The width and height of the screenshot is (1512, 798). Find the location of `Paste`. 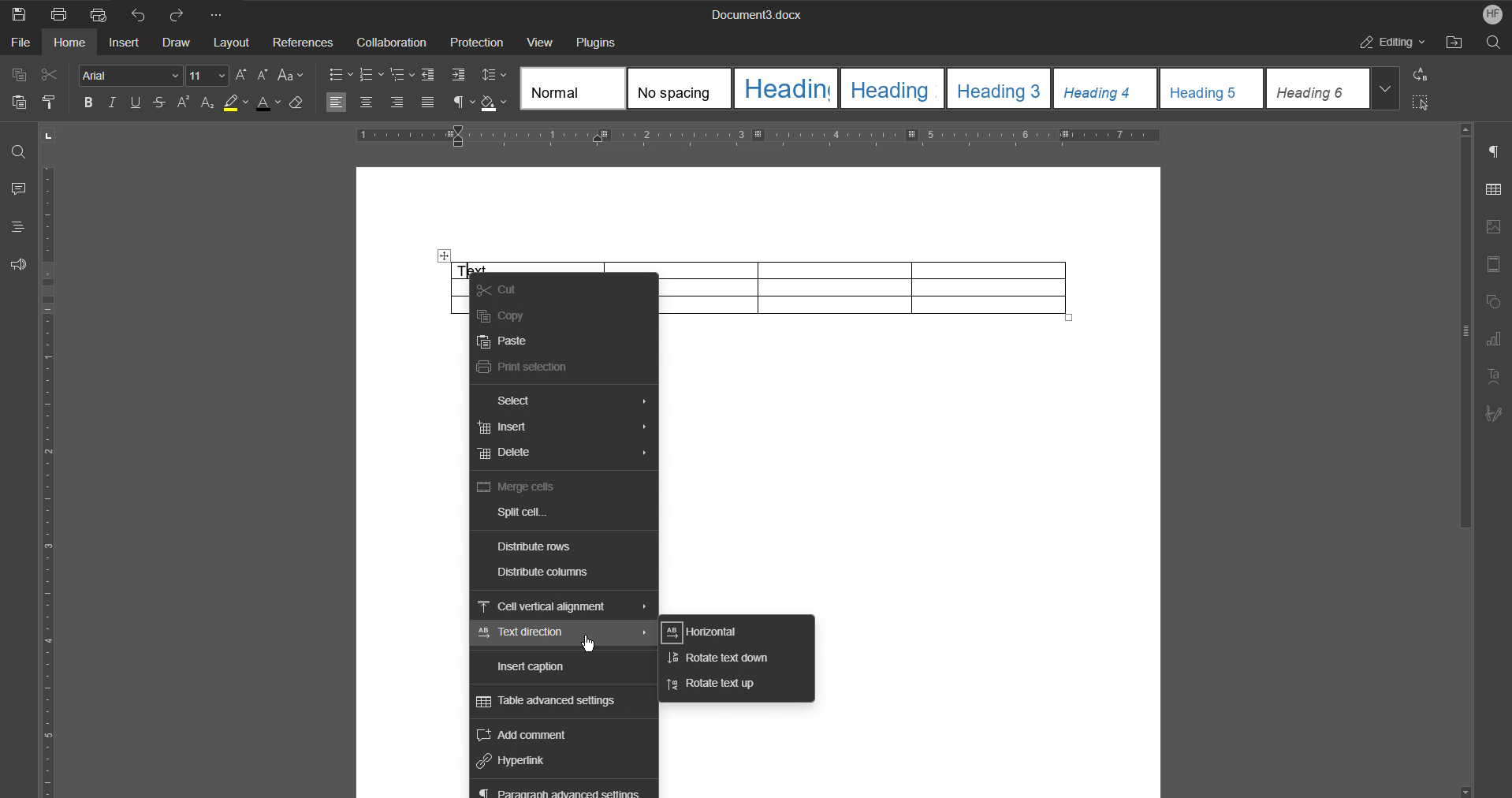

Paste is located at coordinates (503, 342).